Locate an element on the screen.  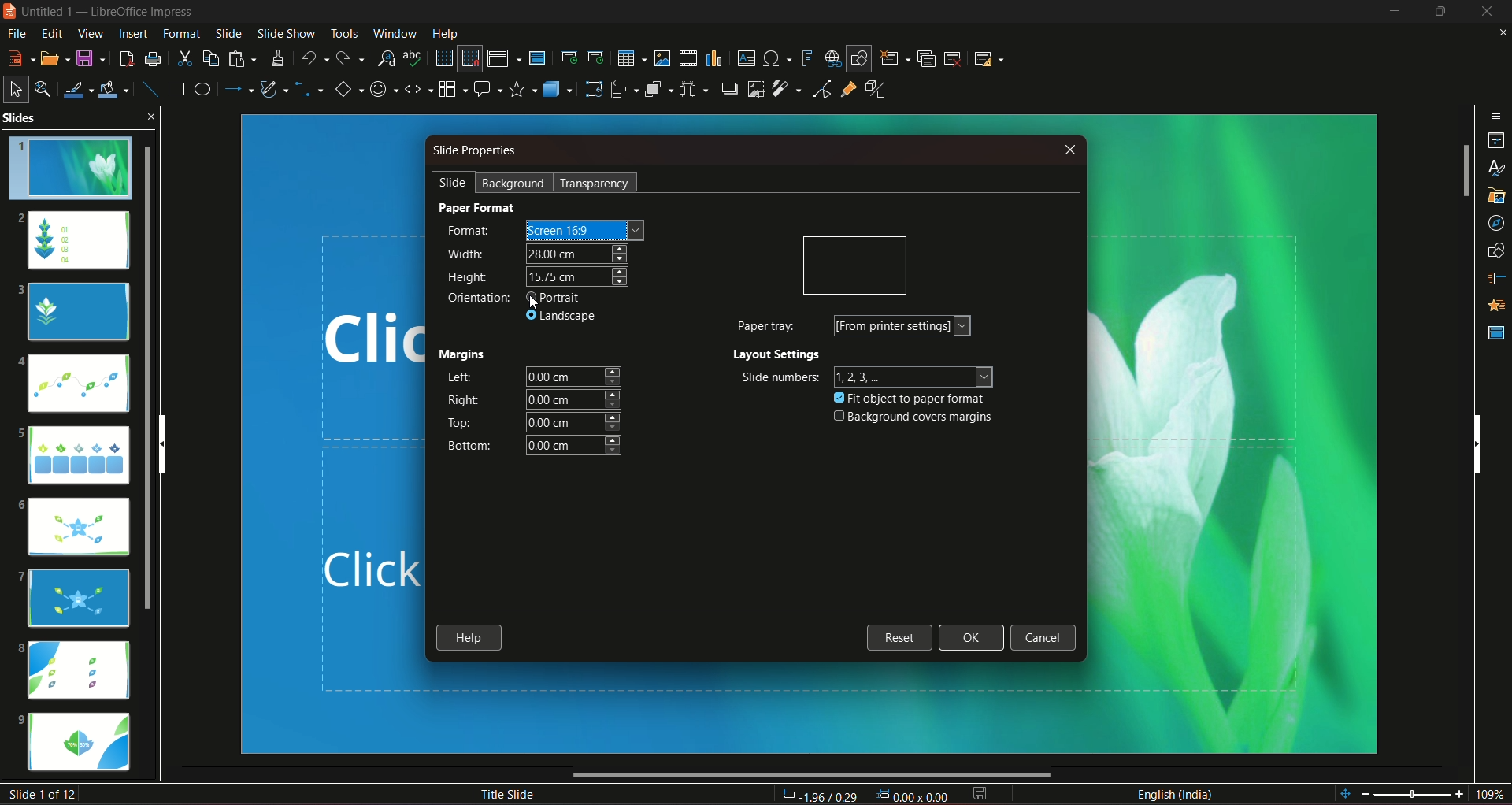
slide transition is located at coordinates (1494, 280).